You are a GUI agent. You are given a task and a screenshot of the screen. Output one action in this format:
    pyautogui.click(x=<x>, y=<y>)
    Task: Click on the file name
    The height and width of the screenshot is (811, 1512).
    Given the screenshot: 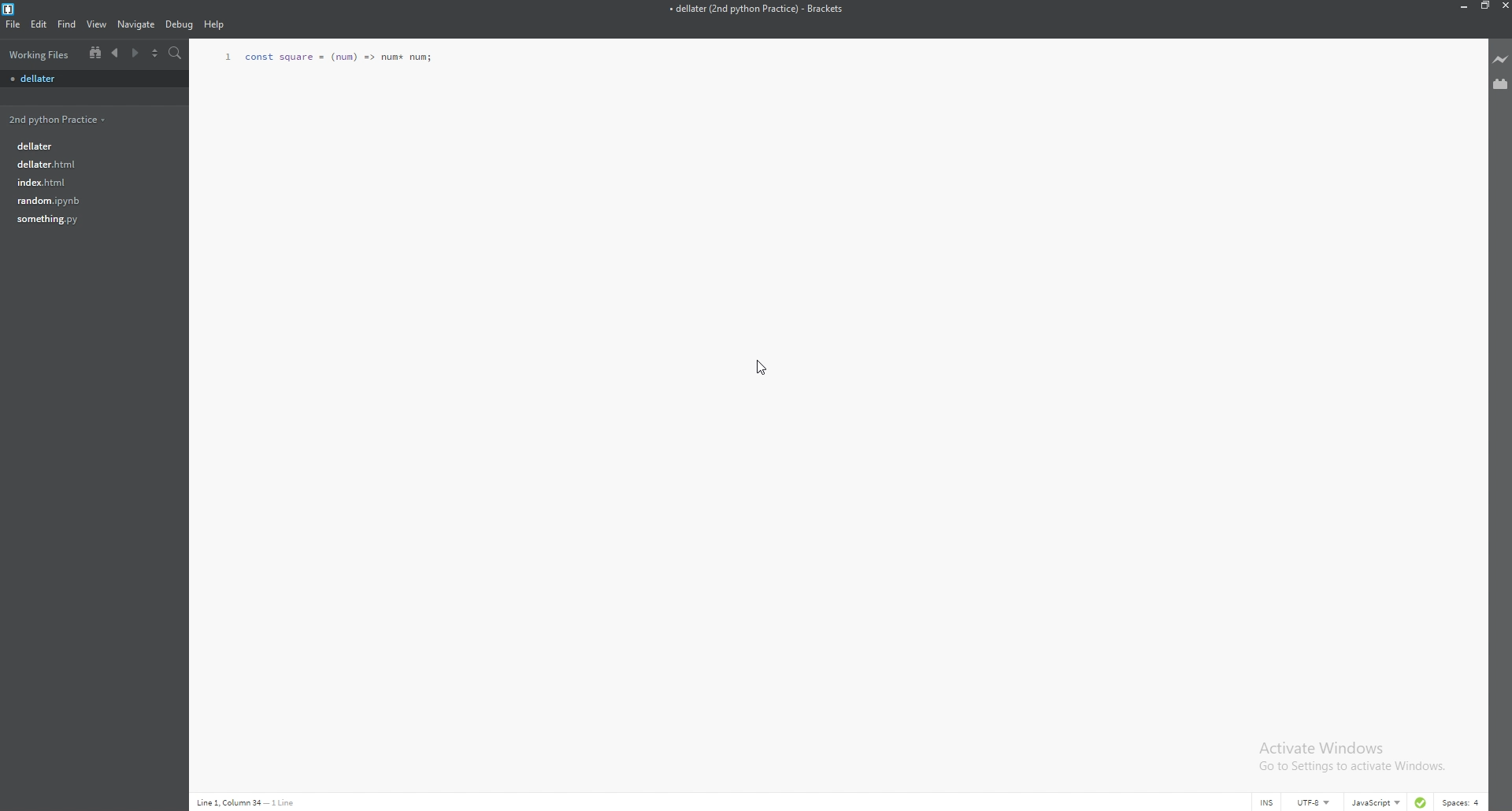 What is the action you would take?
    pyautogui.click(x=756, y=9)
    